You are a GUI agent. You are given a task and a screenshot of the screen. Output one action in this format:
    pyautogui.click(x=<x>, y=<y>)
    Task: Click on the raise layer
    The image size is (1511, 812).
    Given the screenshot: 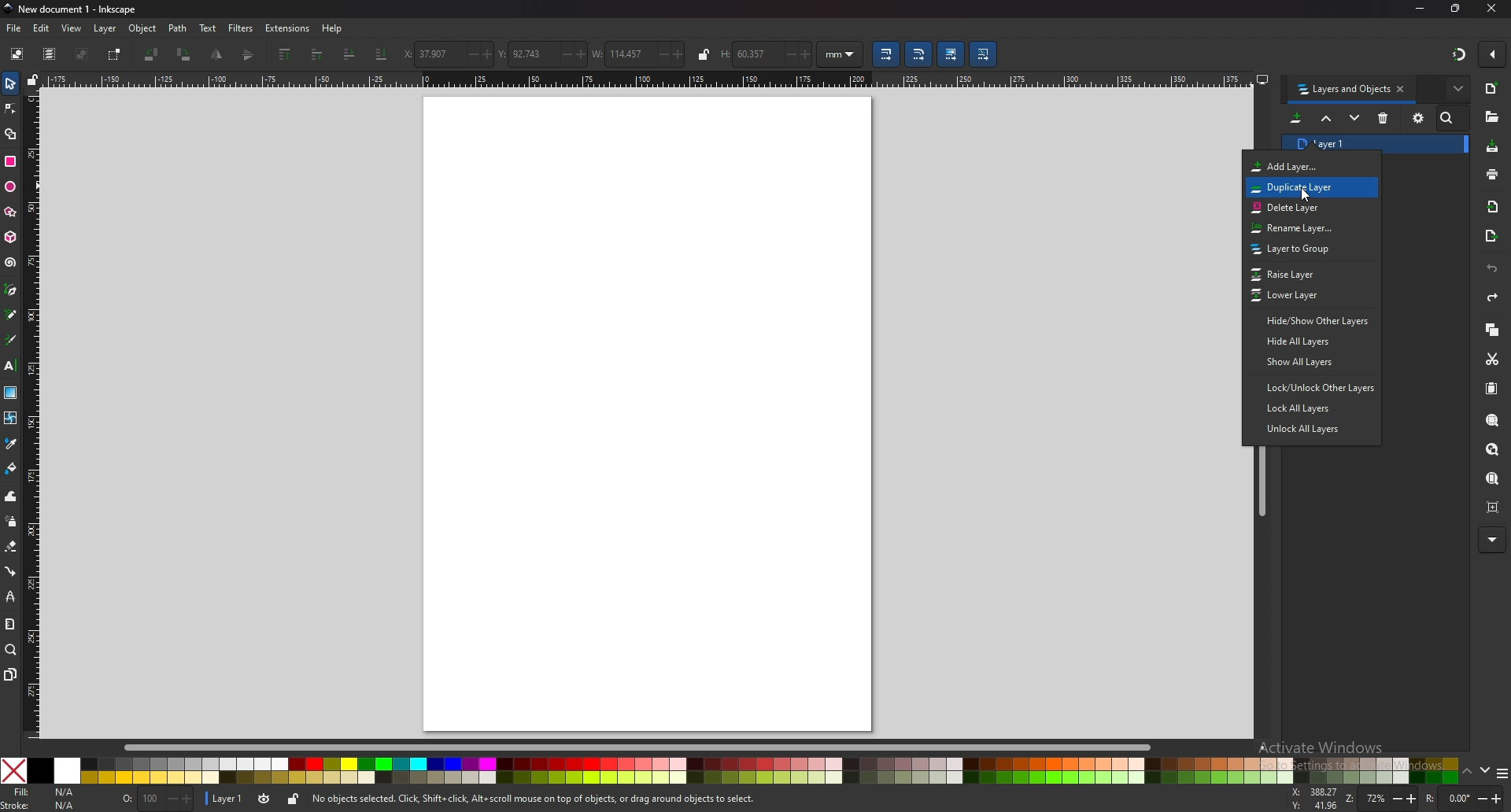 What is the action you would take?
    pyautogui.click(x=1306, y=275)
    